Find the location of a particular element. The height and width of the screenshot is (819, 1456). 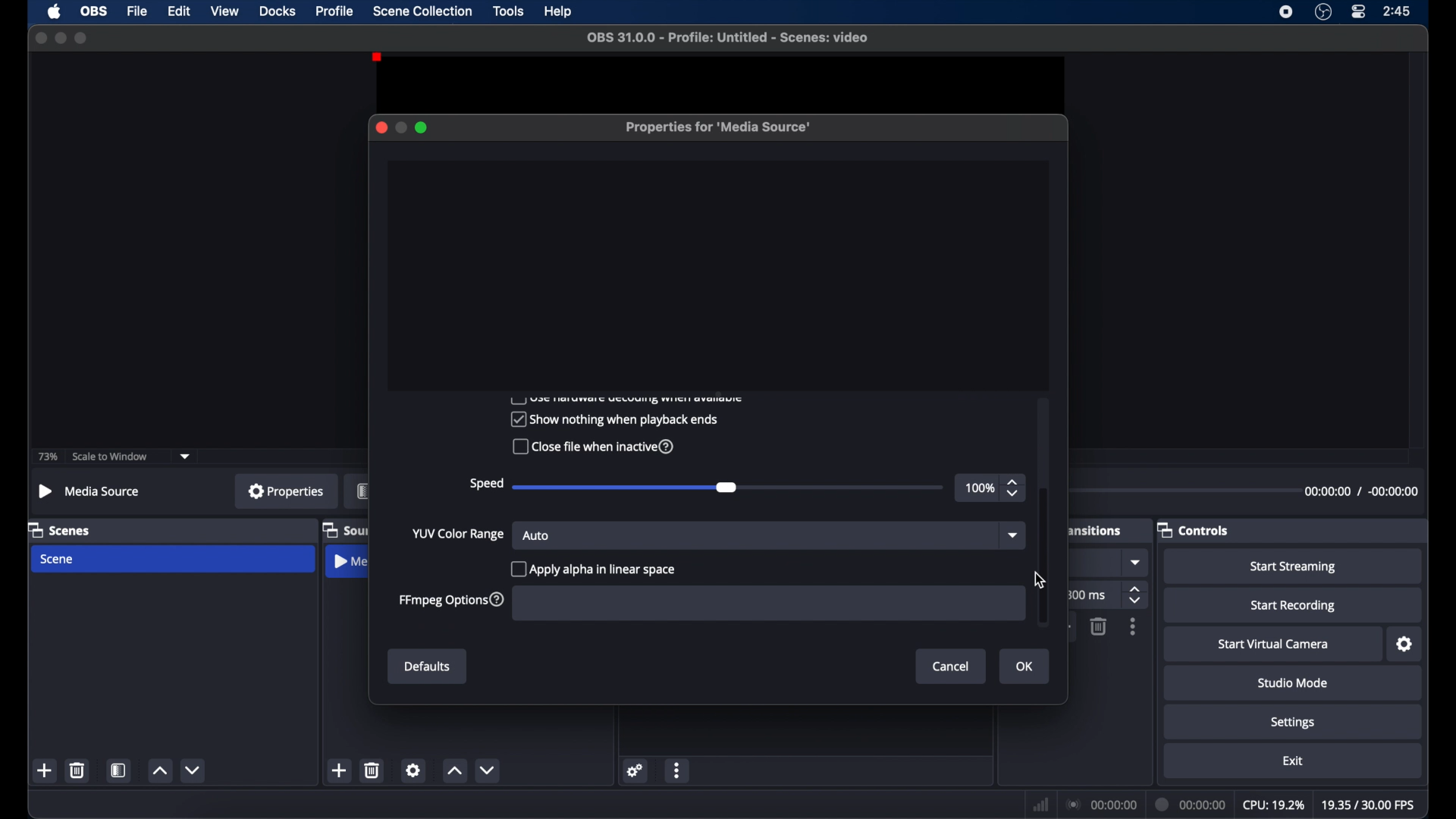

properties for media source is located at coordinates (720, 128).